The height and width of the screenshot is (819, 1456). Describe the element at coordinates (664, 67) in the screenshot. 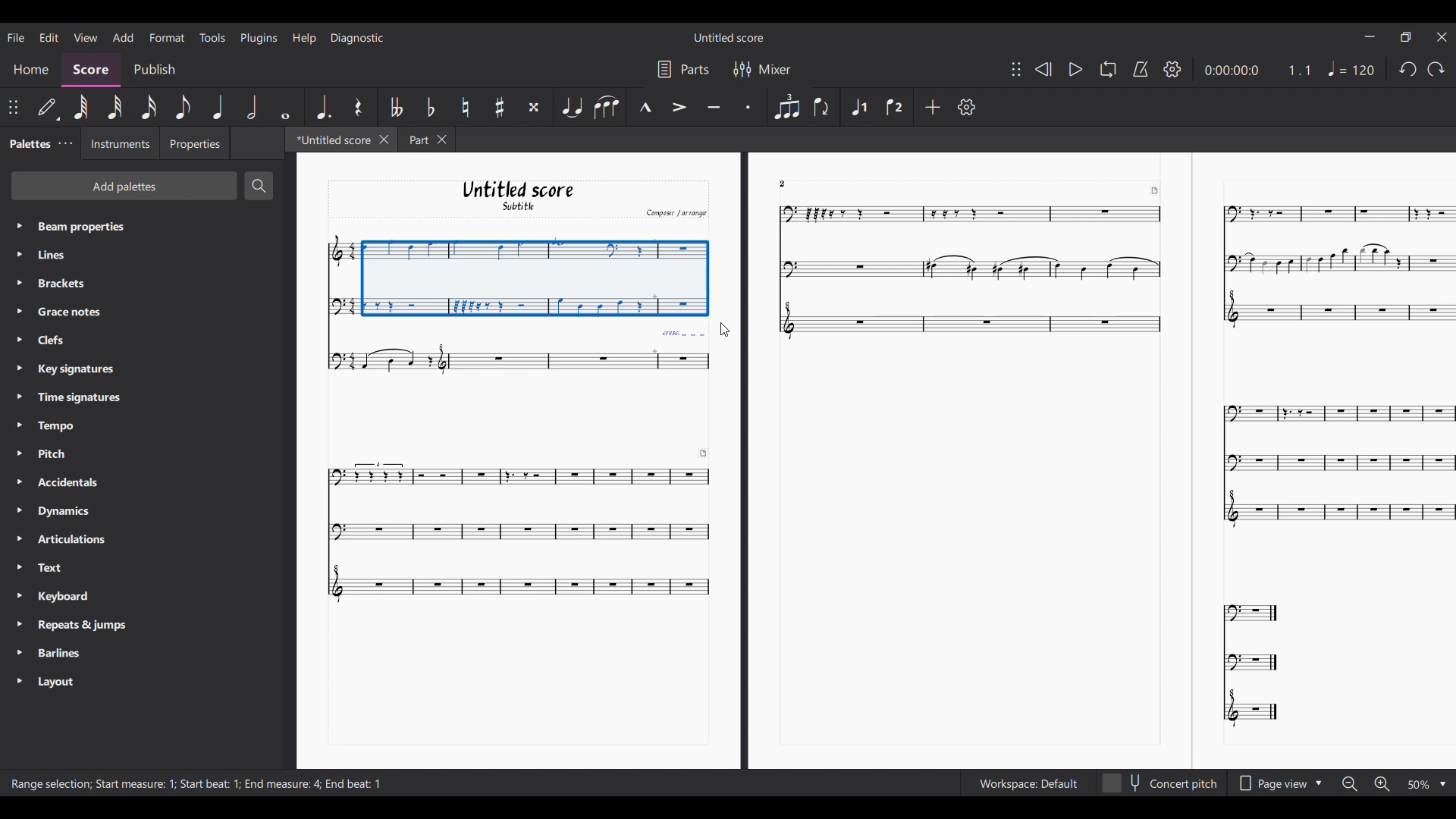

I see `` at that location.